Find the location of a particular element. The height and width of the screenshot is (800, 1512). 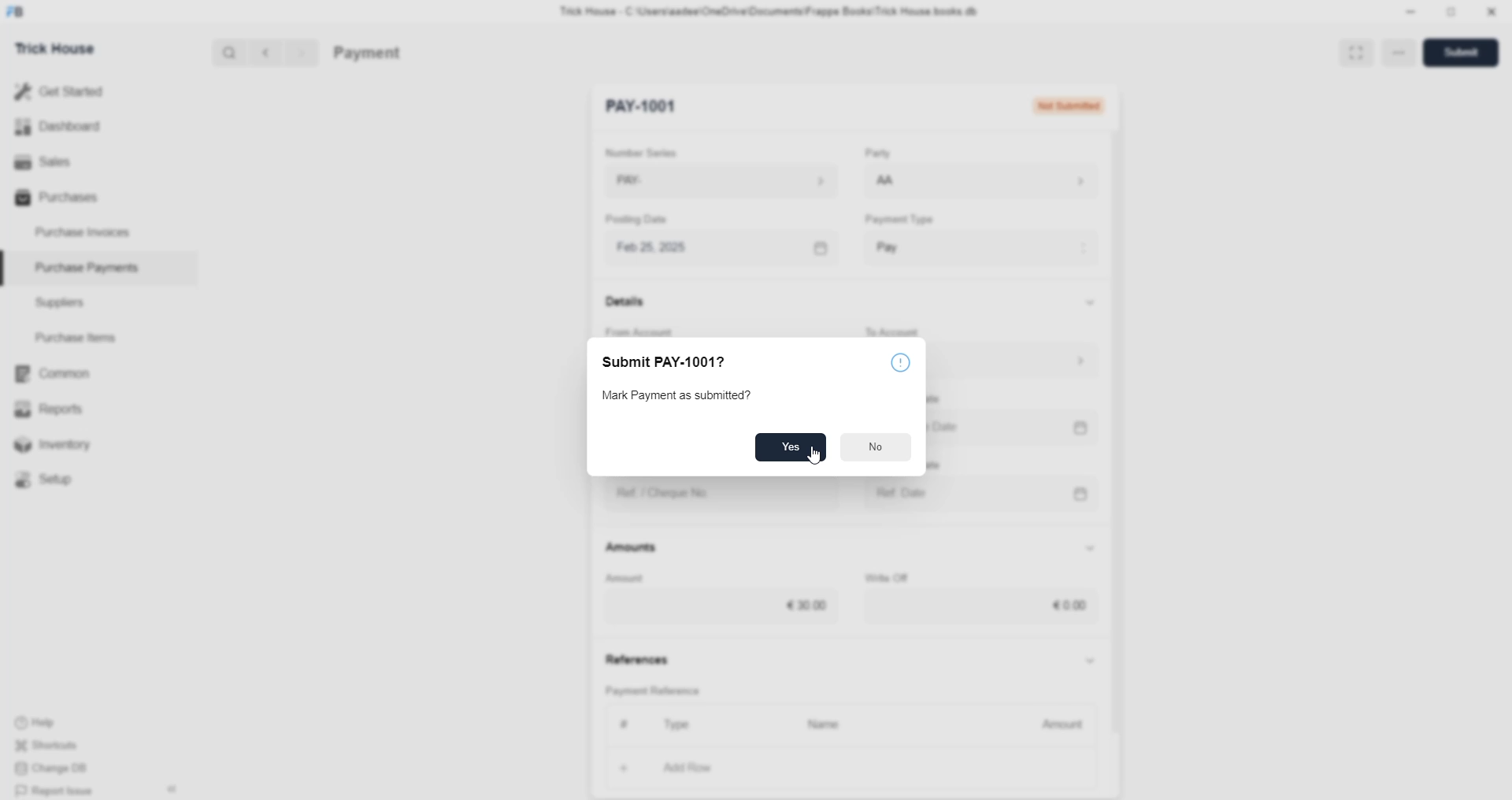

Payment Reference is located at coordinates (651, 692).